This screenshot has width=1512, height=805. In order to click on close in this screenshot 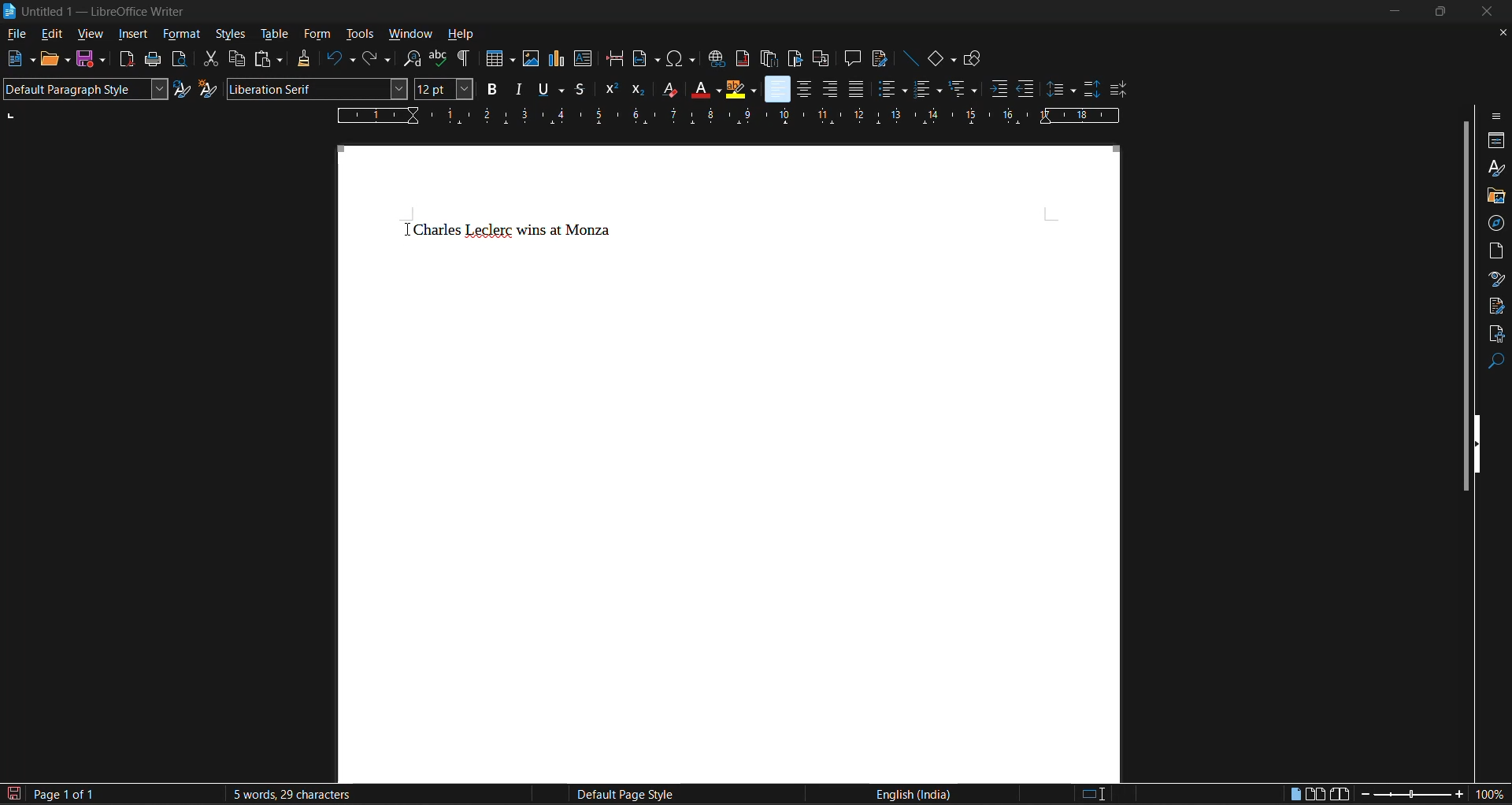, I will do `click(1488, 12)`.